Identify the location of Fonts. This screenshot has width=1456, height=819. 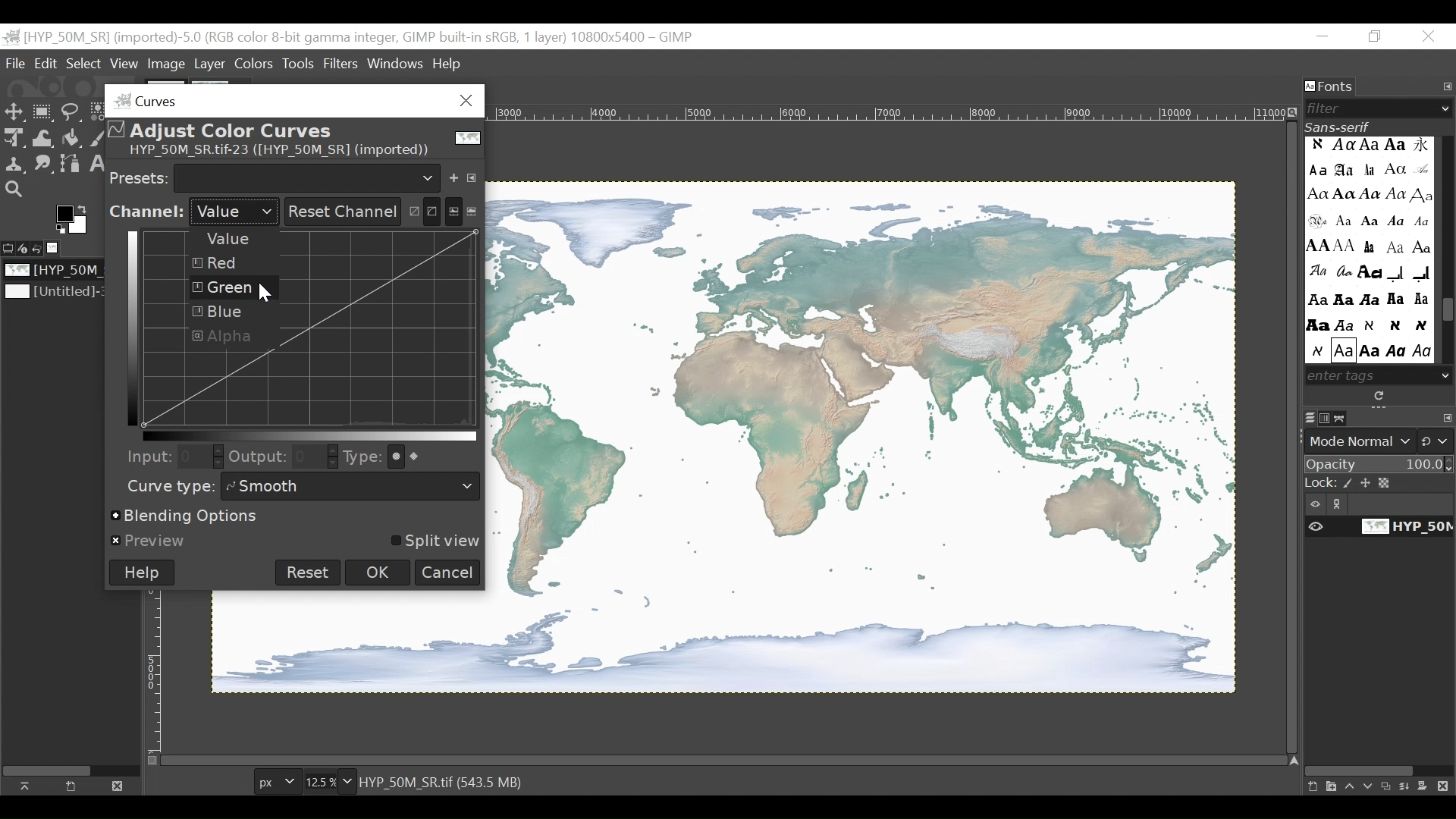
(1331, 87).